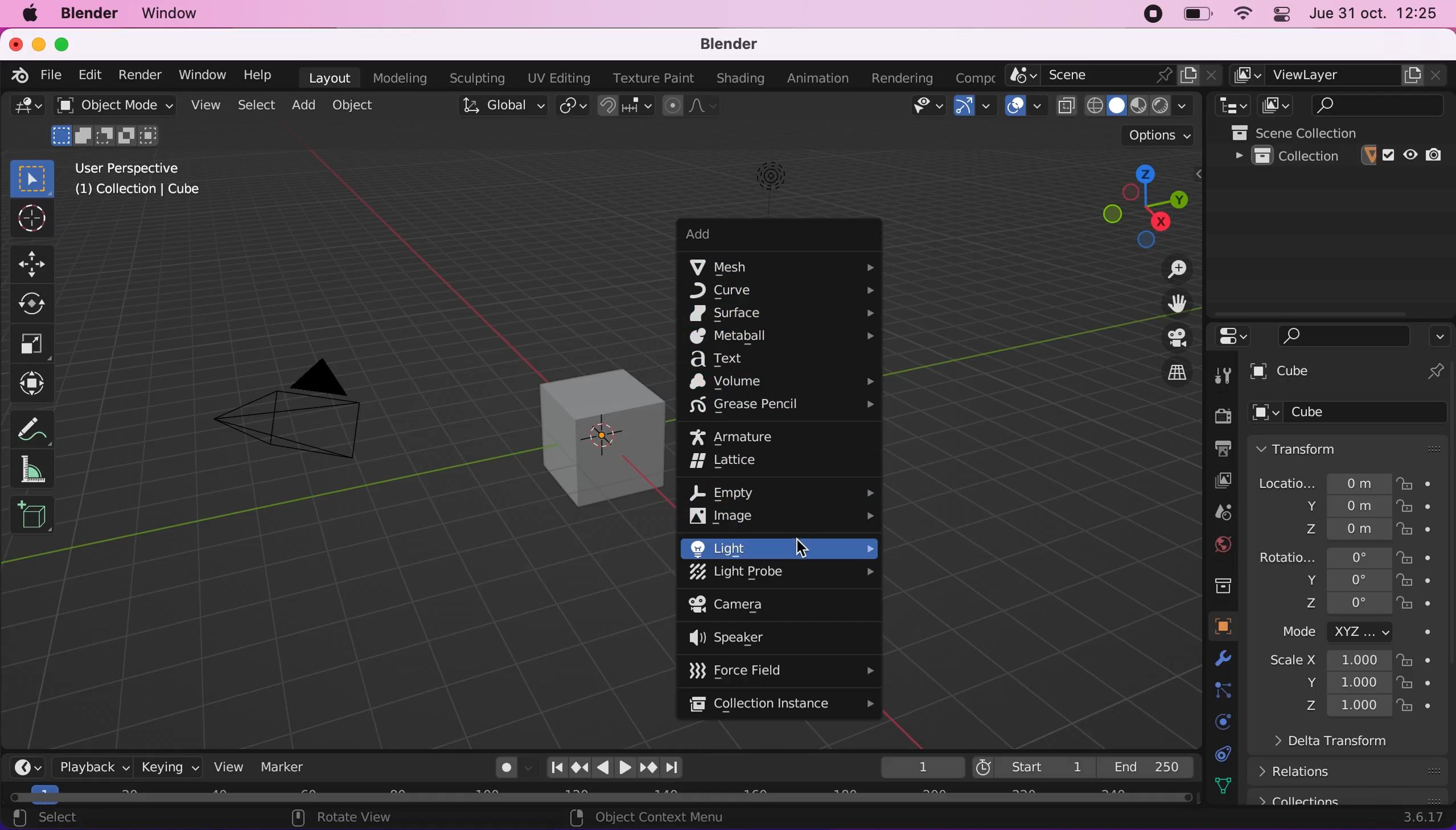 The height and width of the screenshot is (830, 1456). I want to click on move the view, so click(1168, 303).